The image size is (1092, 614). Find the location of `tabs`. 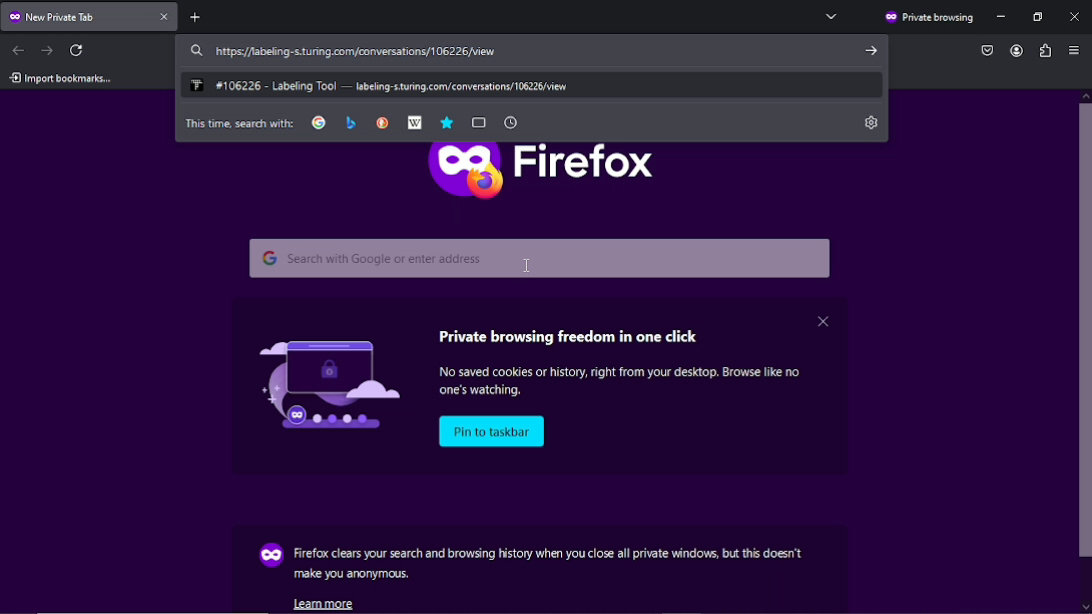

tabs is located at coordinates (479, 123).